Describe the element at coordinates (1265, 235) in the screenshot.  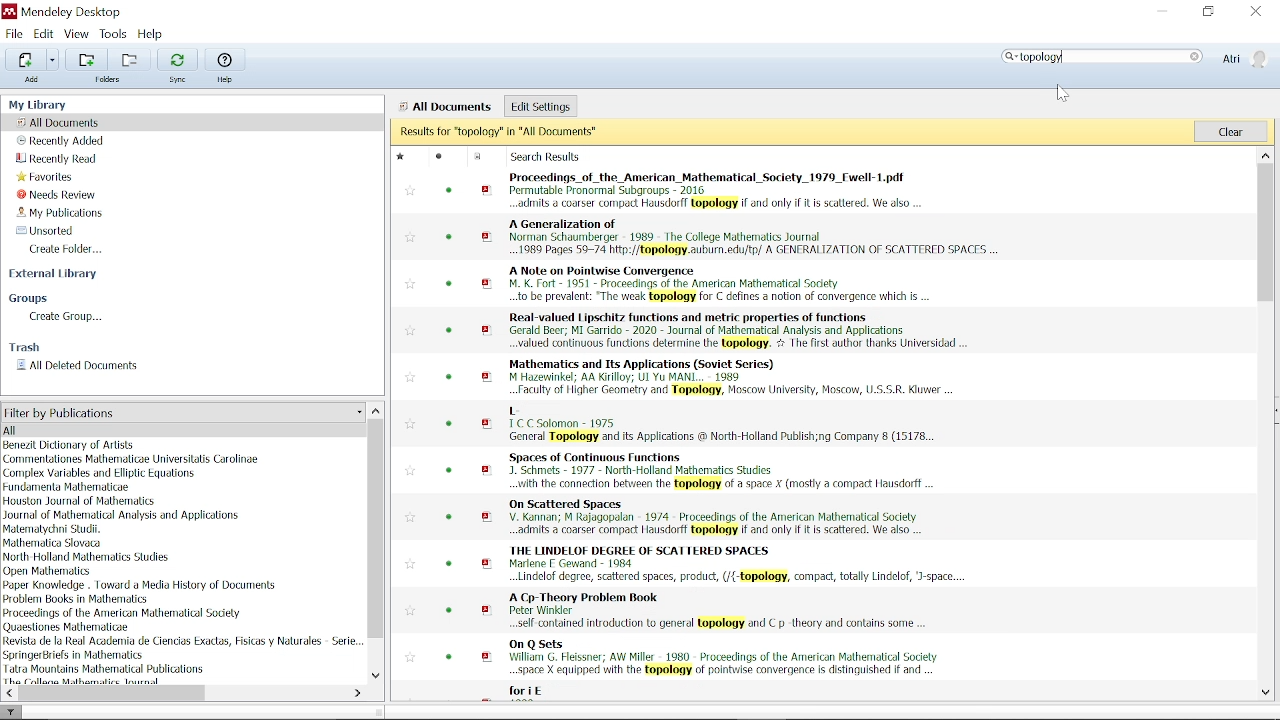
I see `Vertical scrollbar for files` at that location.